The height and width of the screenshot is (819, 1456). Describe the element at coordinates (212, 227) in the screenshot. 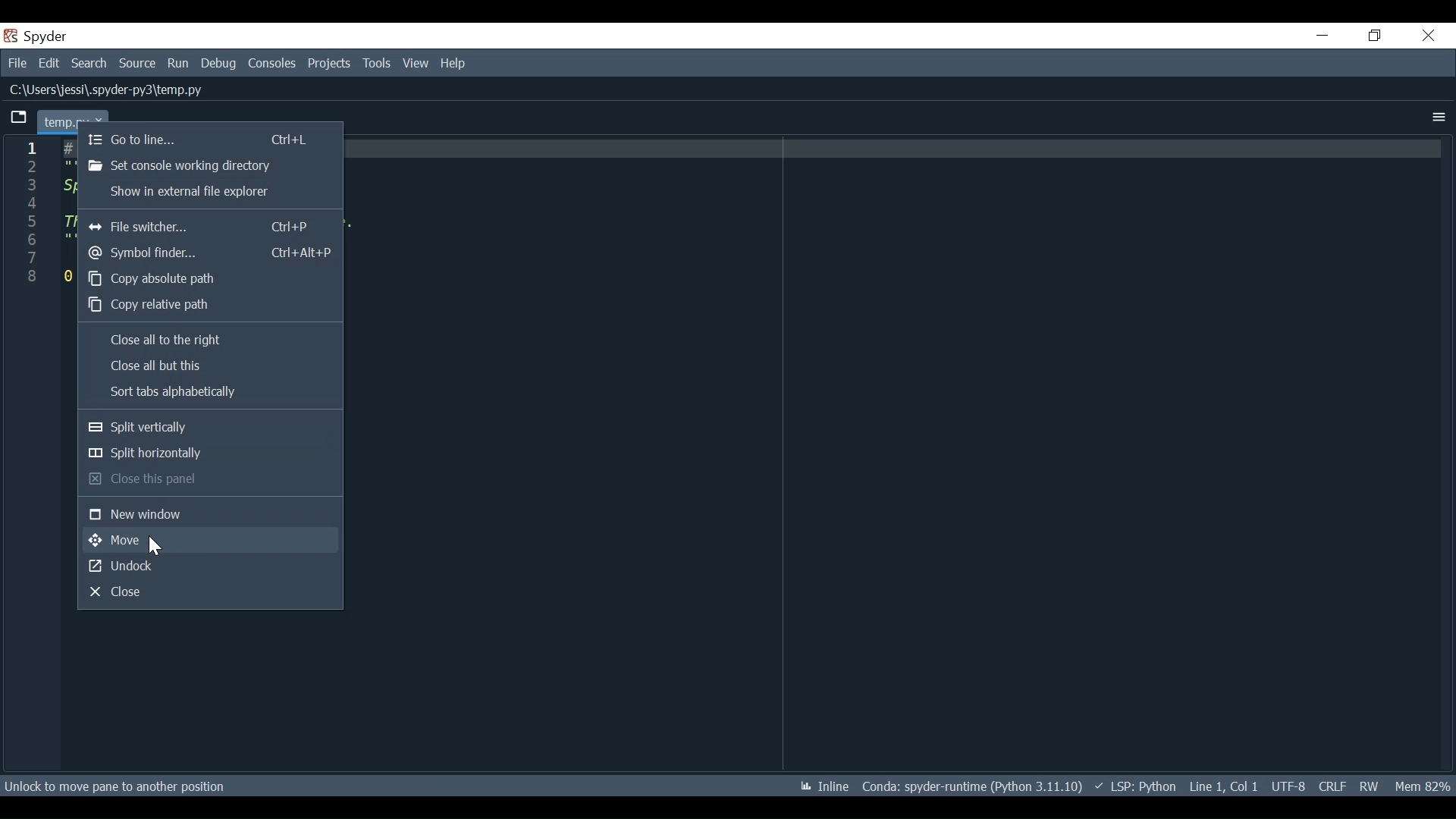

I see `File Switcher` at that location.